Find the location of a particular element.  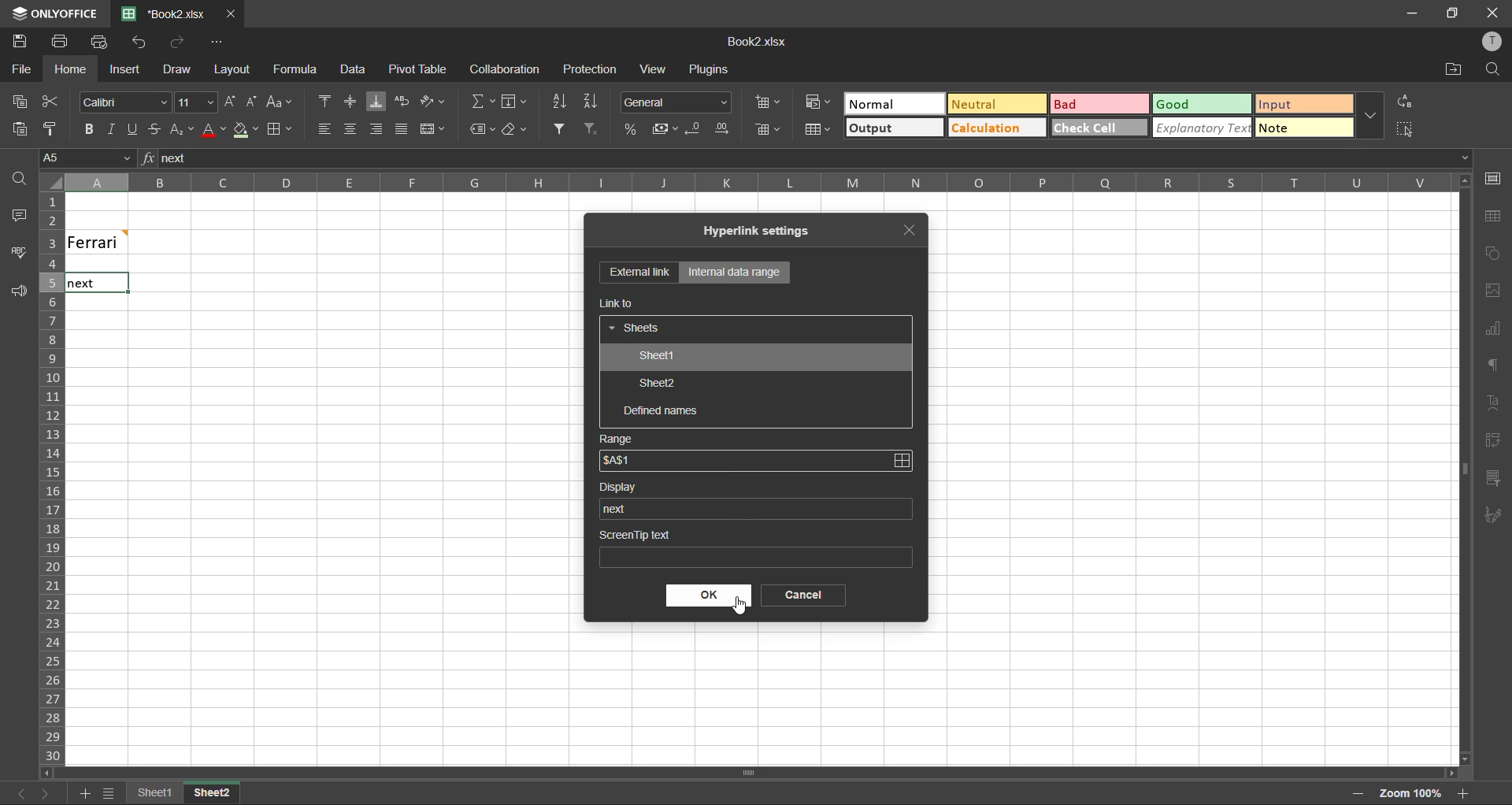

align left is located at coordinates (324, 127).